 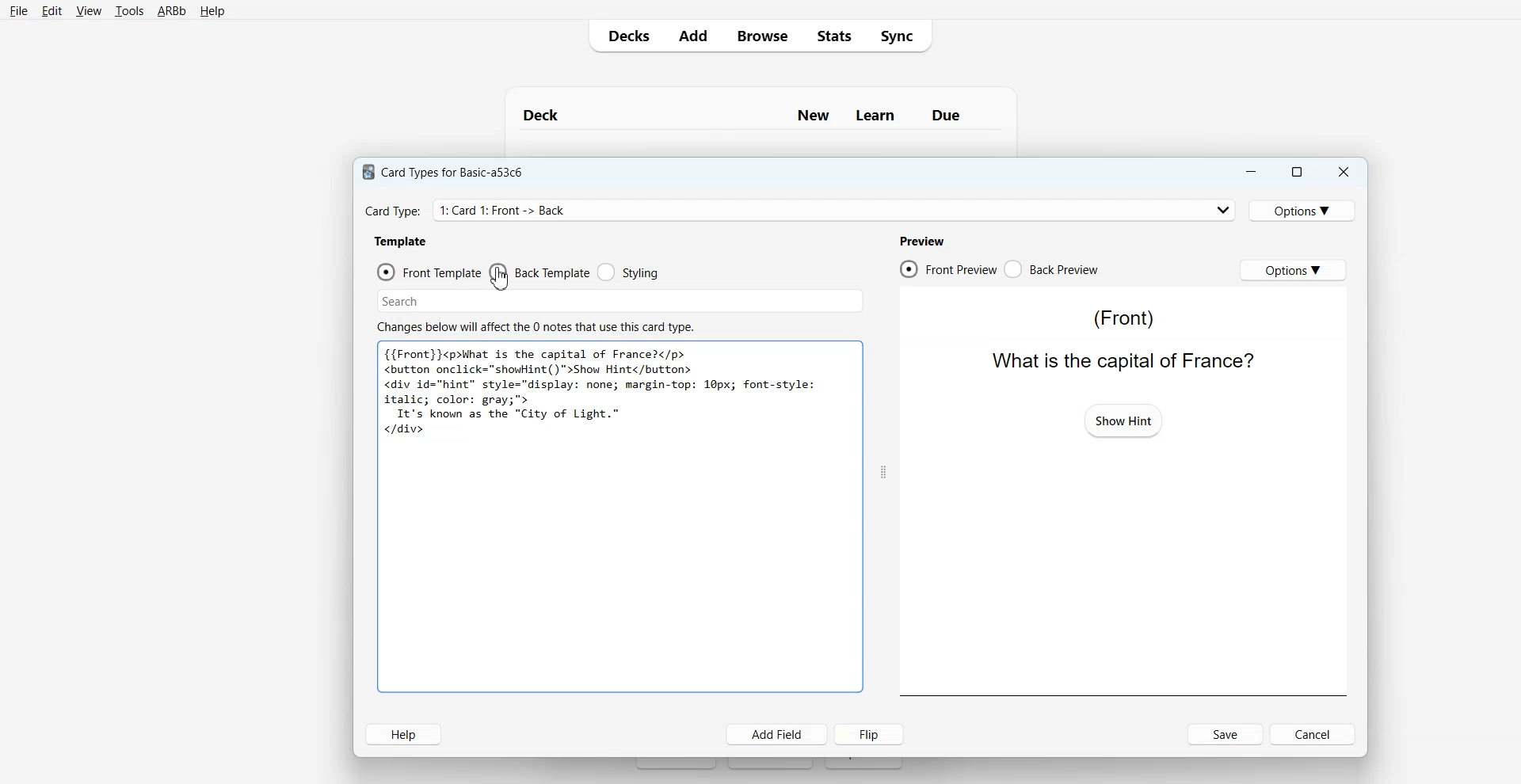 I want to click on Cursor, so click(x=499, y=278).